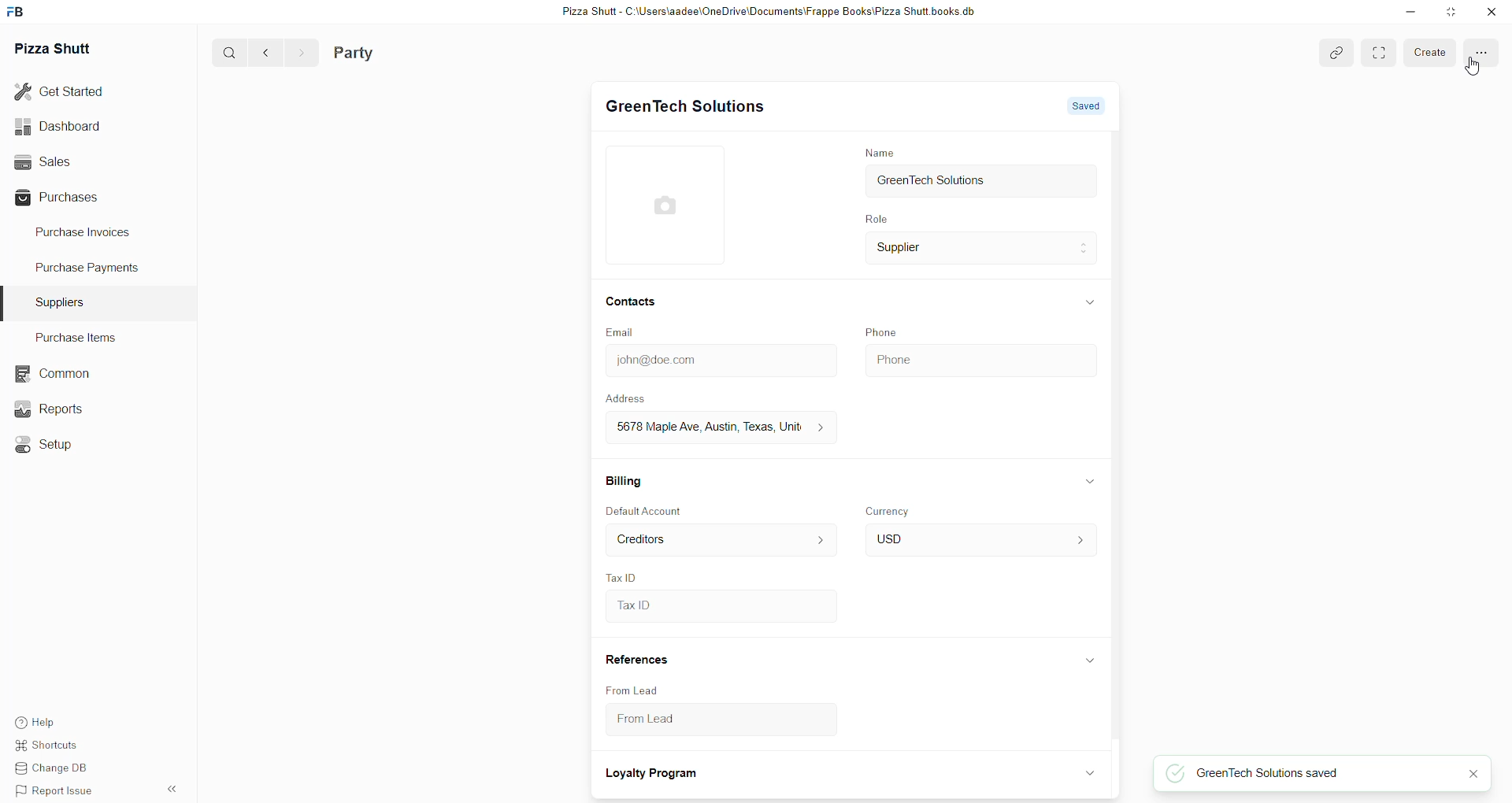  What do you see at coordinates (719, 607) in the screenshot?
I see `Tax ID` at bounding box center [719, 607].